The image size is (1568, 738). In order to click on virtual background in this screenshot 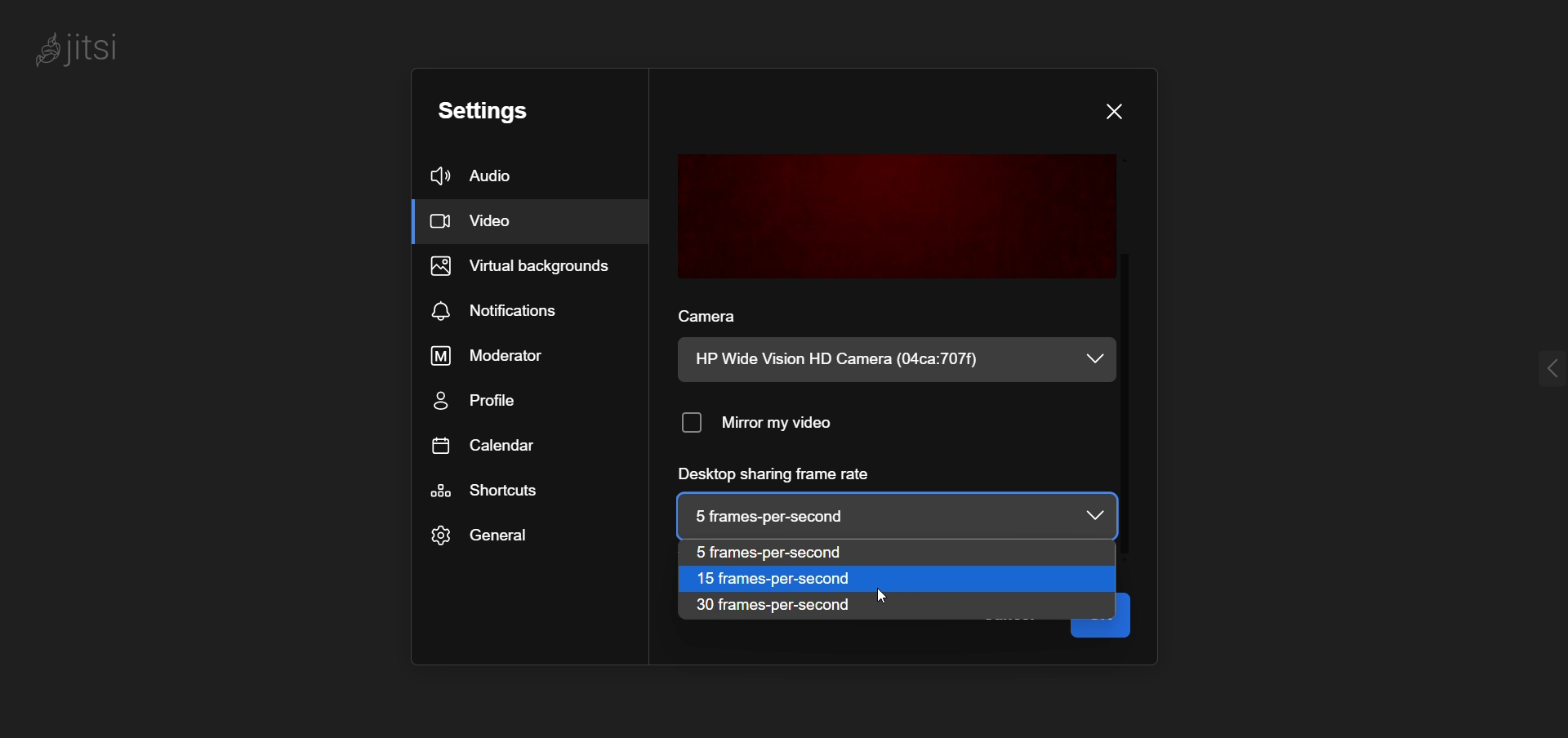, I will do `click(530, 269)`.